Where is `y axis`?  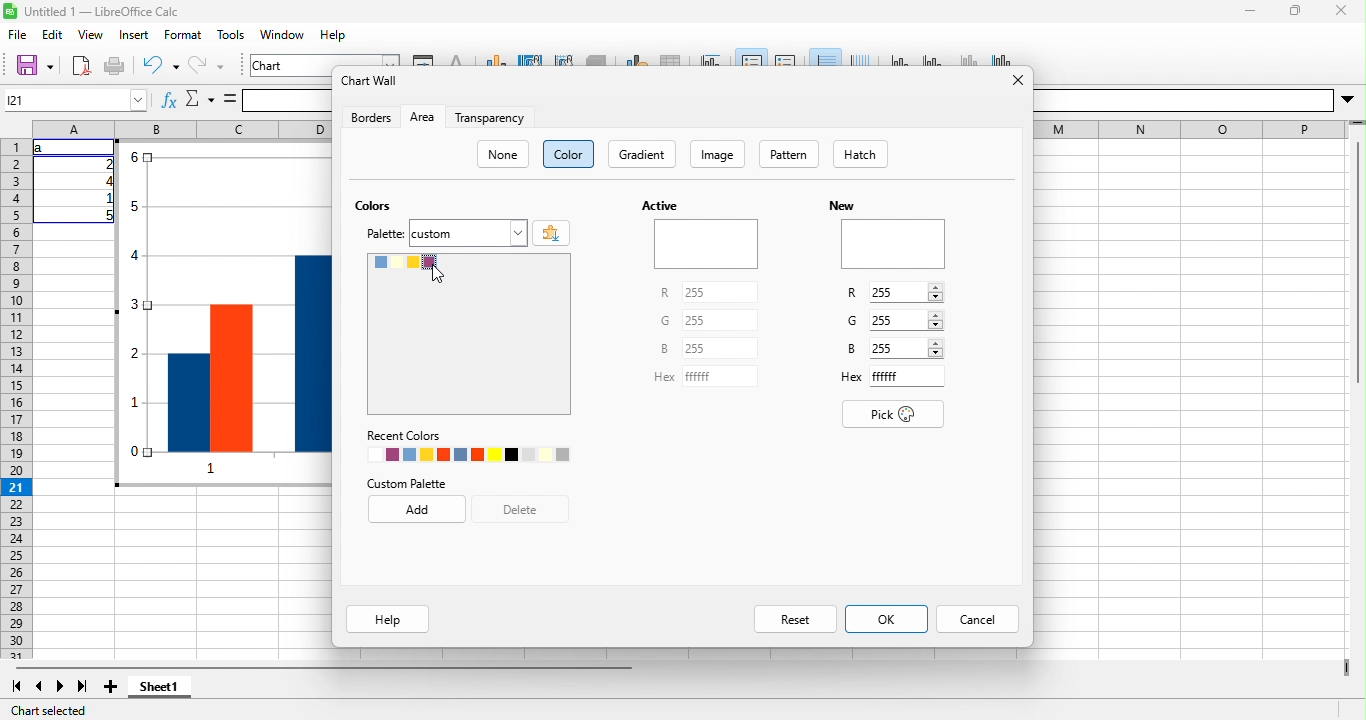
y axis is located at coordinates (934, 58).